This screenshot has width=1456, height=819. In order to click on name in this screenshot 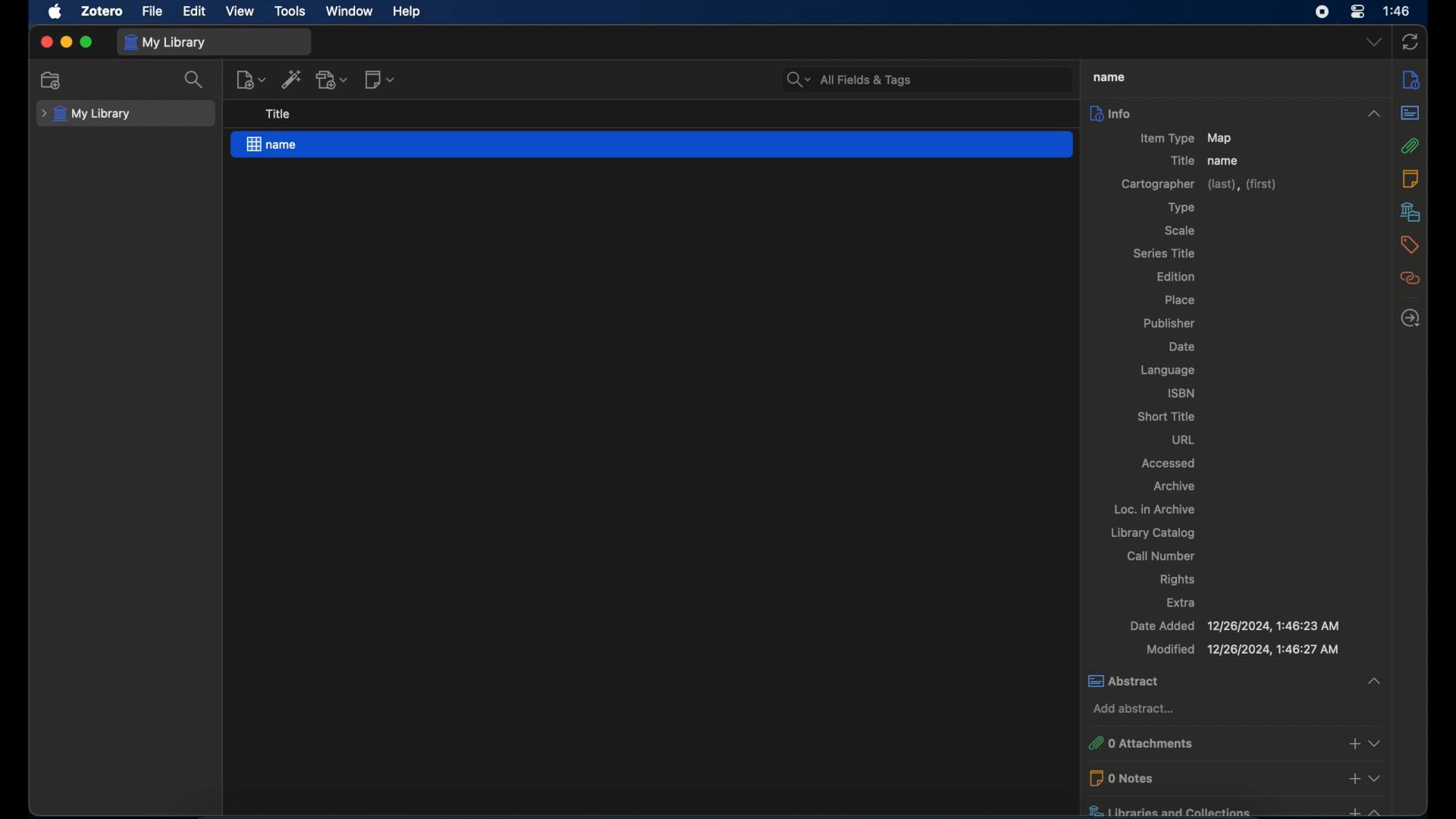, I will do `click(652, 145)`.